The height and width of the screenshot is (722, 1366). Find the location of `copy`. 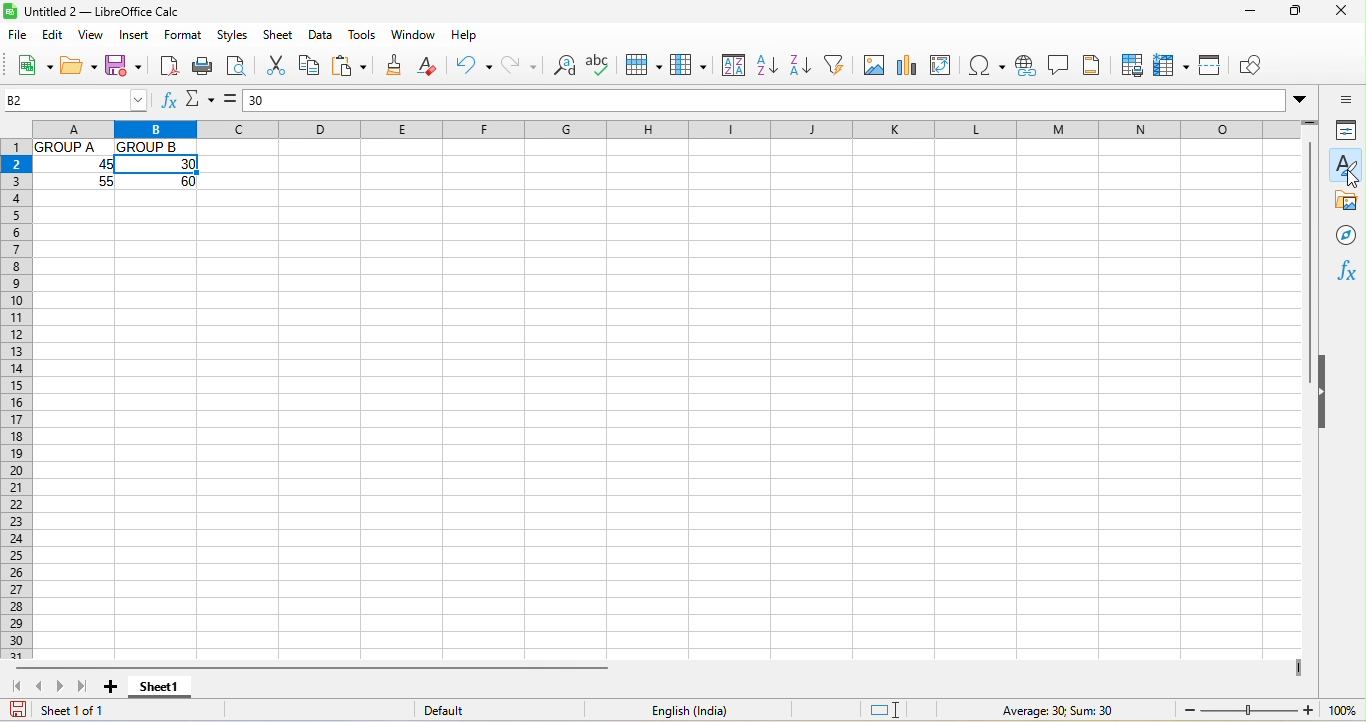

copy is located at coordinates (311, 66).